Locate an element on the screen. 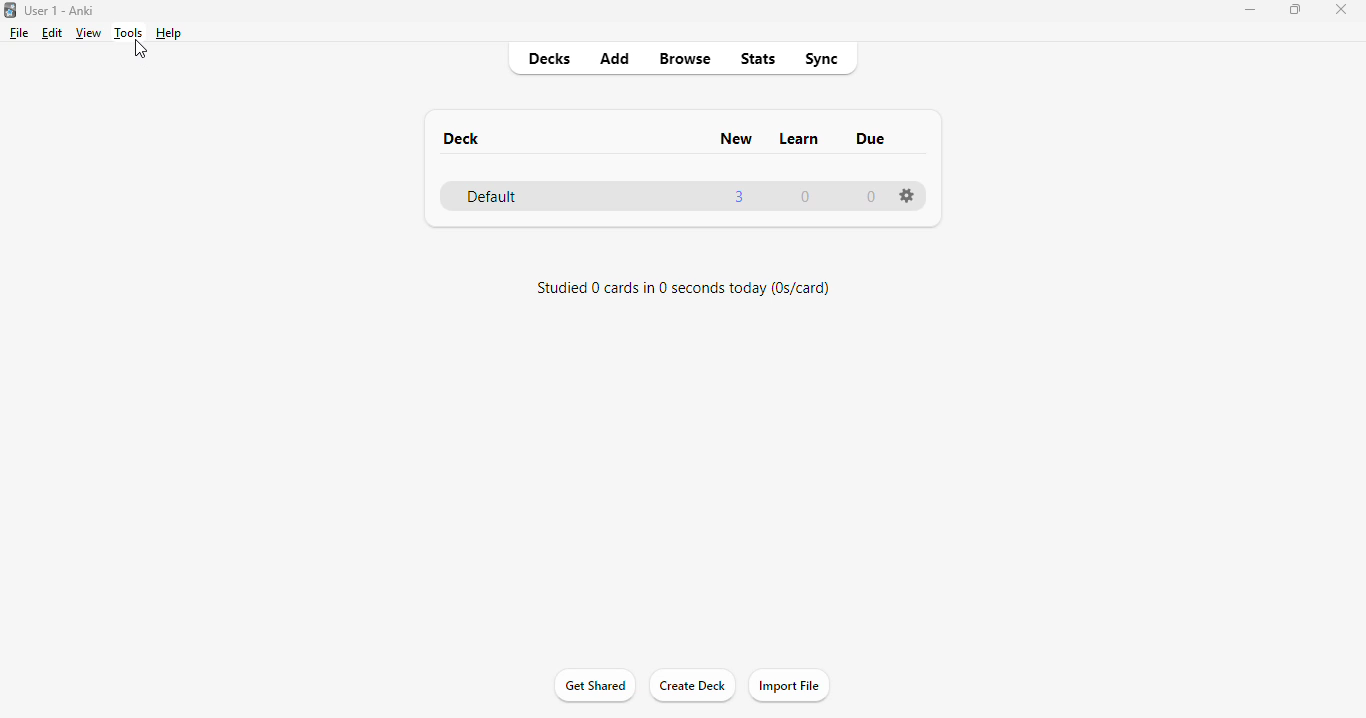 The image size is (1366, 718). tools is located at coordinates (128, 33).